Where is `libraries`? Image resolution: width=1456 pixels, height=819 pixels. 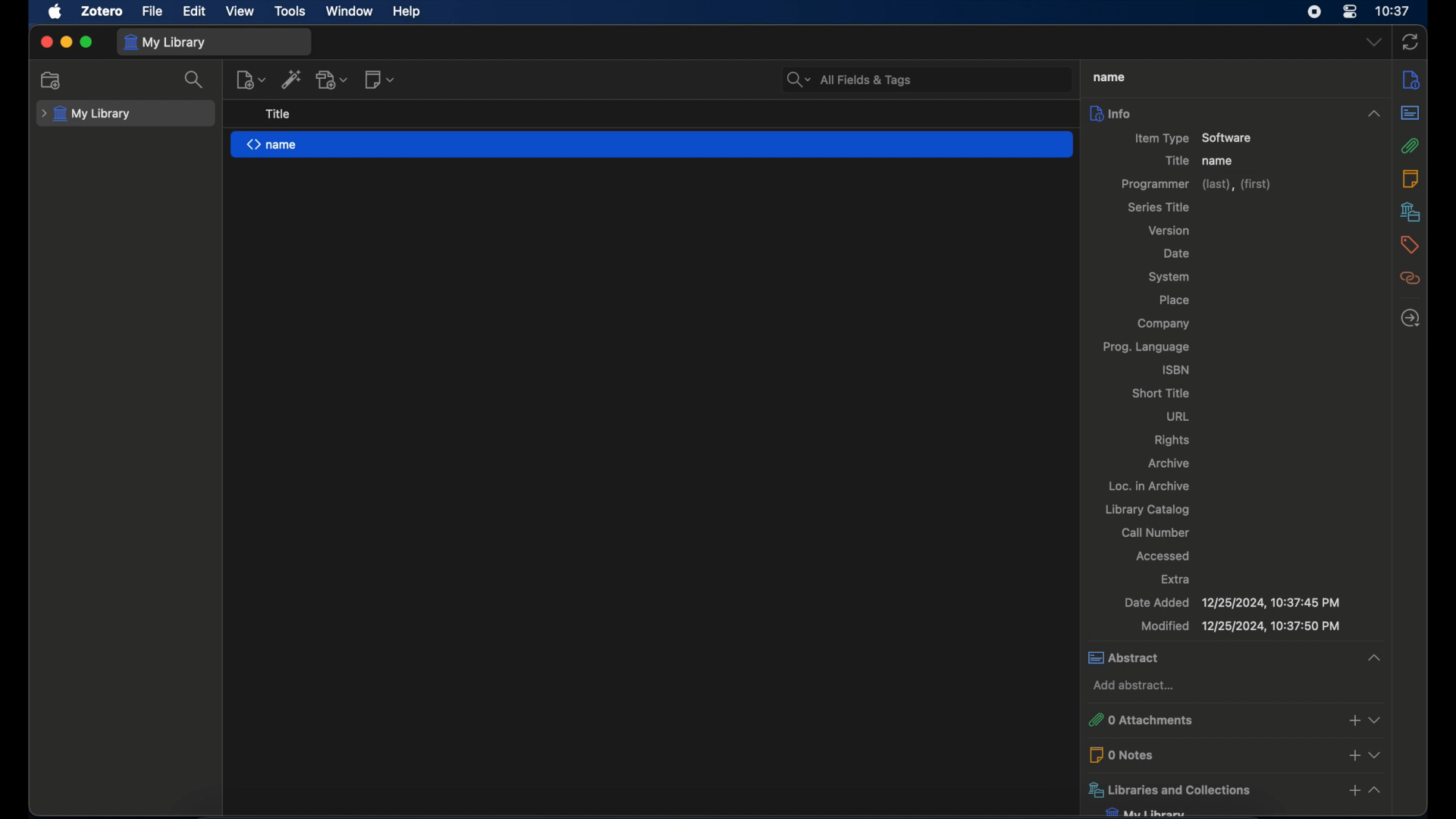
libraries is located at coordinates (1410, 212).